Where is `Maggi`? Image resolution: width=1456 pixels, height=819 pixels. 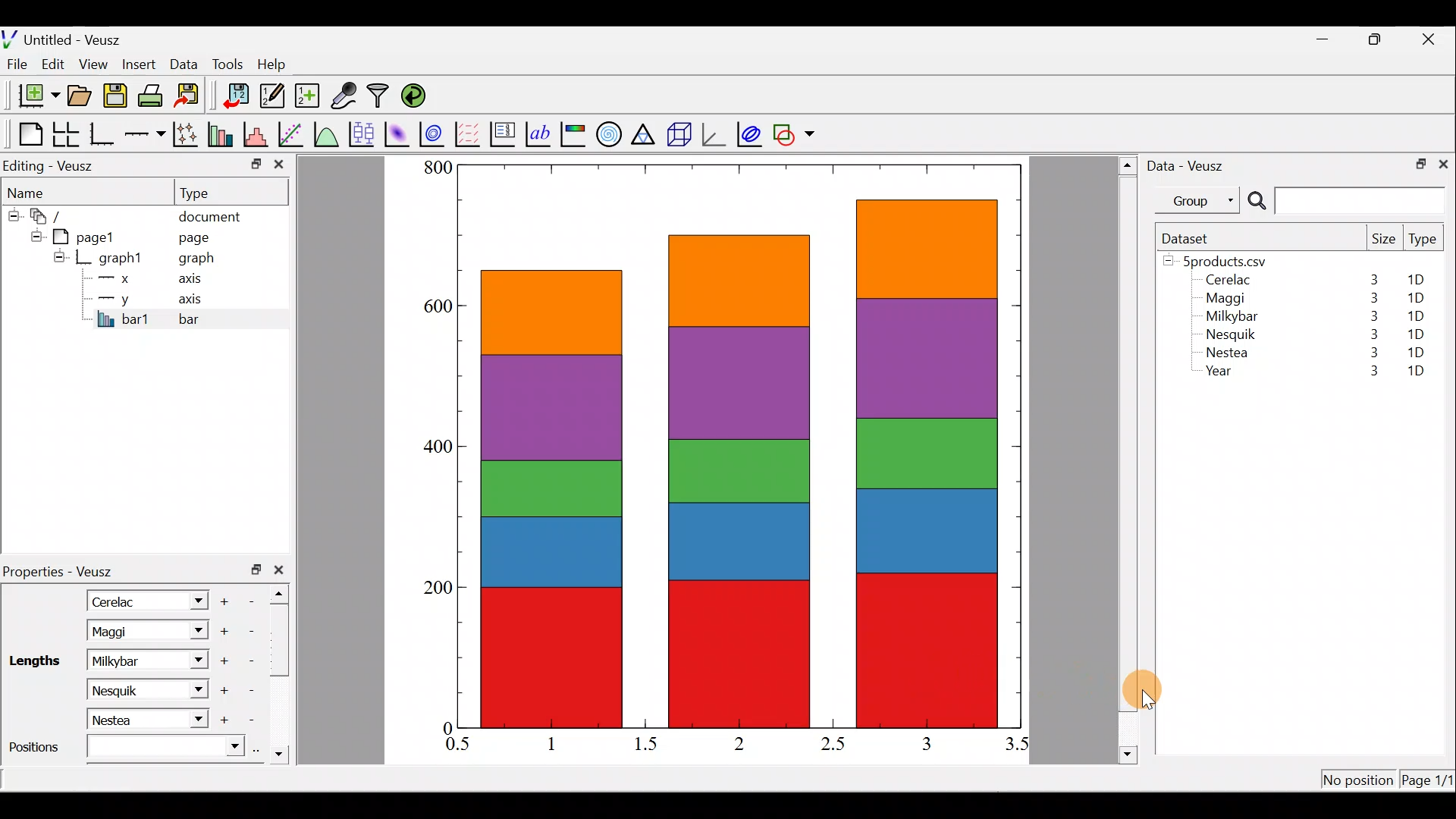
Maggi is located at coordinates (127, 631).